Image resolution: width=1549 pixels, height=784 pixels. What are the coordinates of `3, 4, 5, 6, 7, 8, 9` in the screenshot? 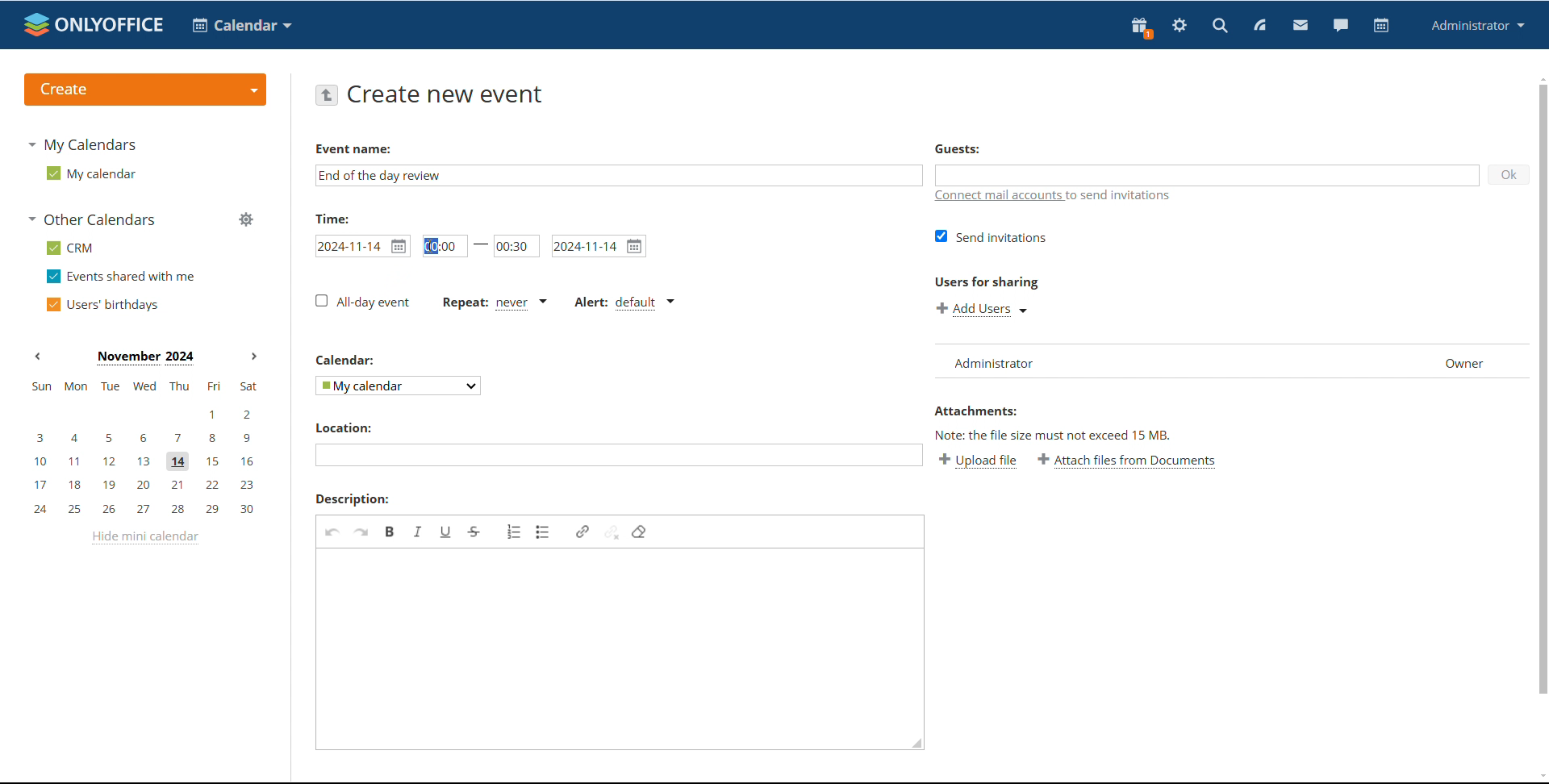 It's located at (144, 436).